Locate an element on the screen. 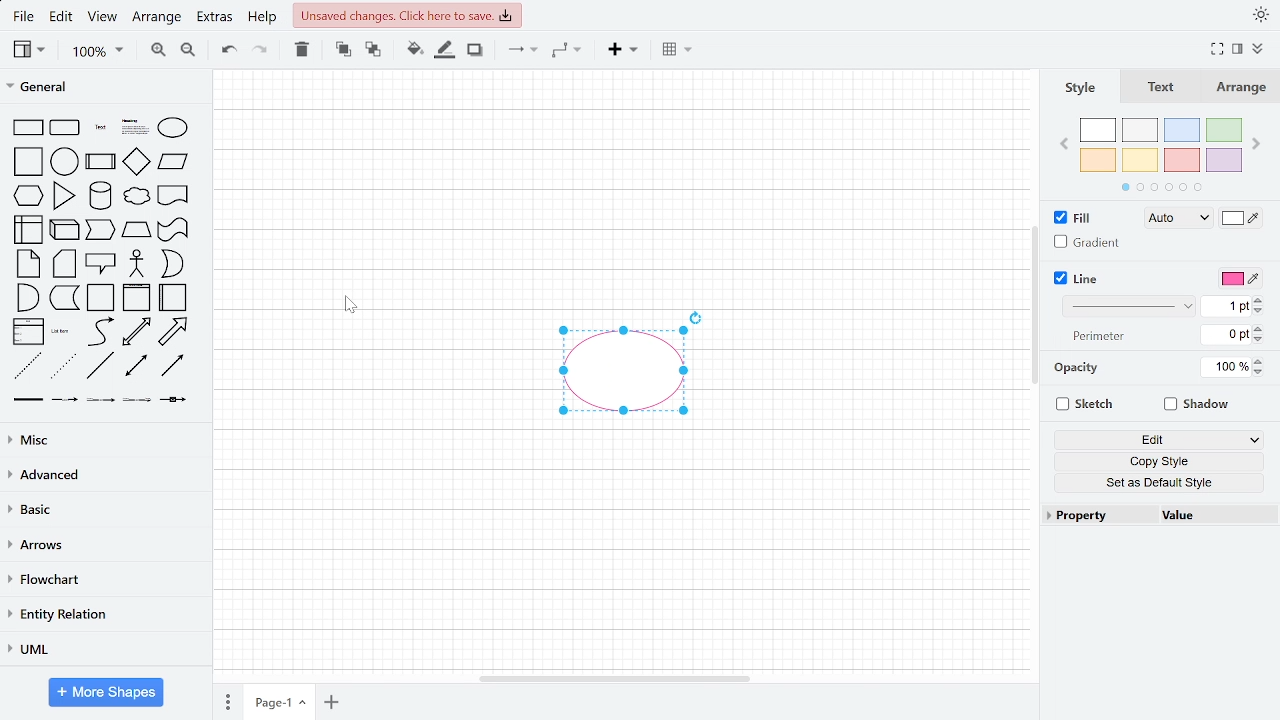 Image resolution: width=1280 pixels, height=720 pixels. connector with label is located at coordinates (65, 401).